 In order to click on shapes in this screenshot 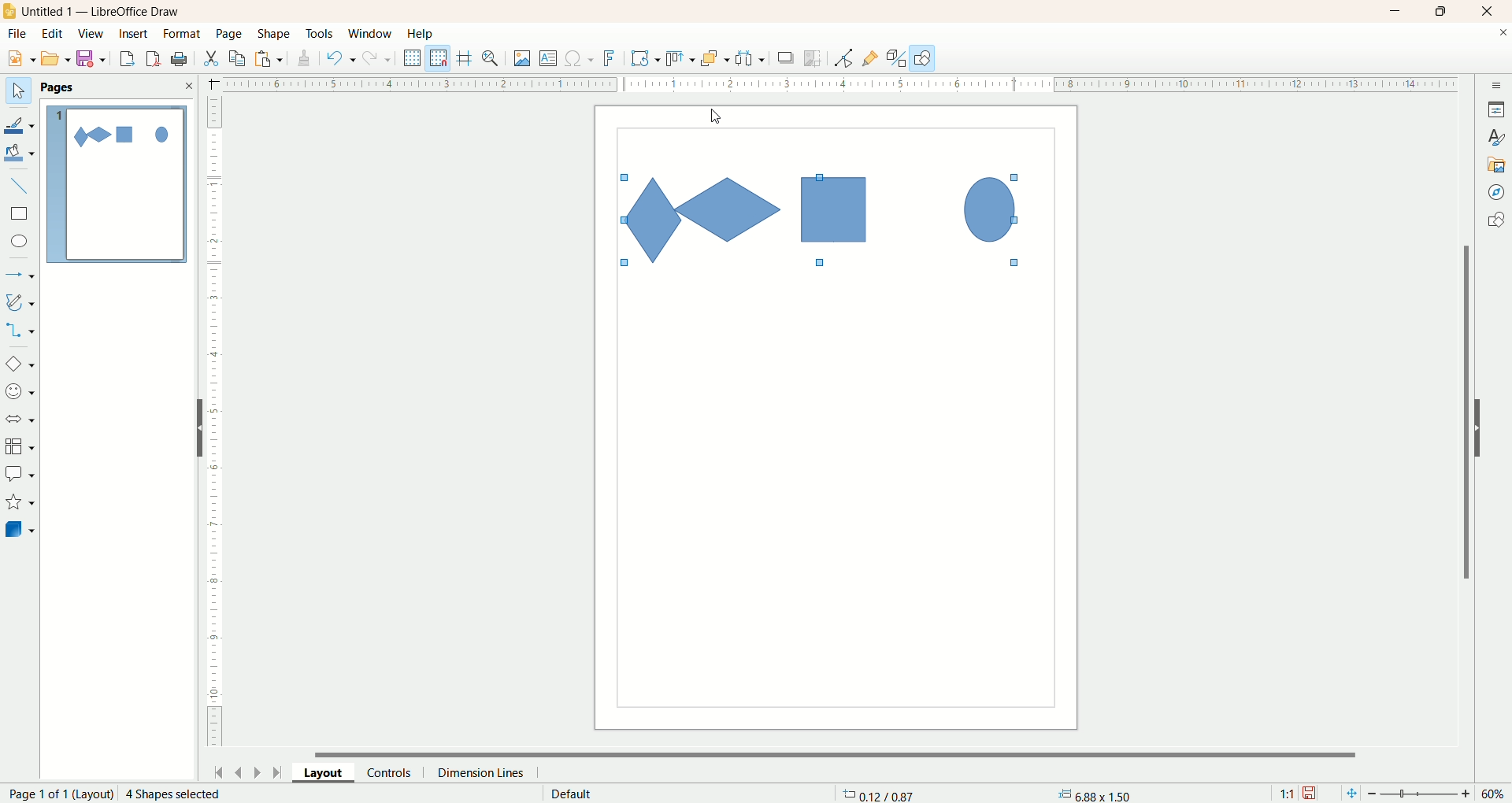, I will do `click(1495, 222)`.